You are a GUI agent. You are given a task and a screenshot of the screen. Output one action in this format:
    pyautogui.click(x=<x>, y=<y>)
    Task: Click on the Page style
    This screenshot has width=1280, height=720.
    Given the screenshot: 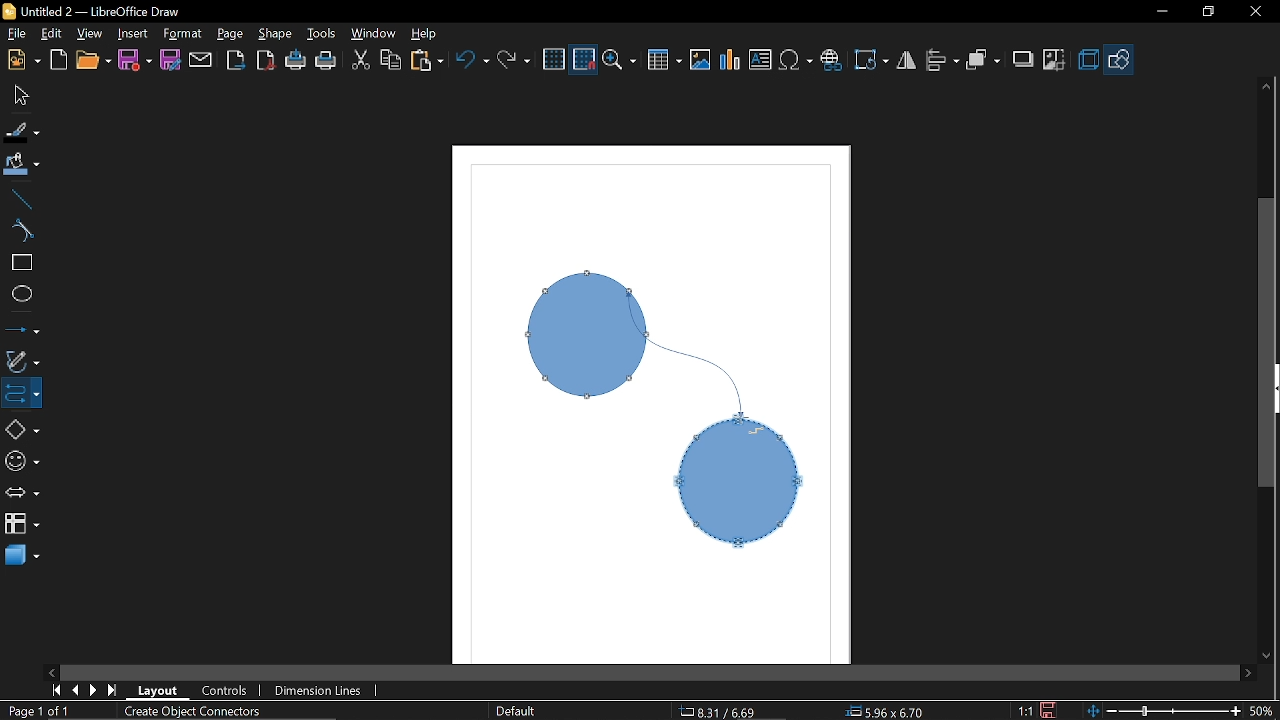 What is the action you would take?
    pyautogui.click(x=516, y=712)
    